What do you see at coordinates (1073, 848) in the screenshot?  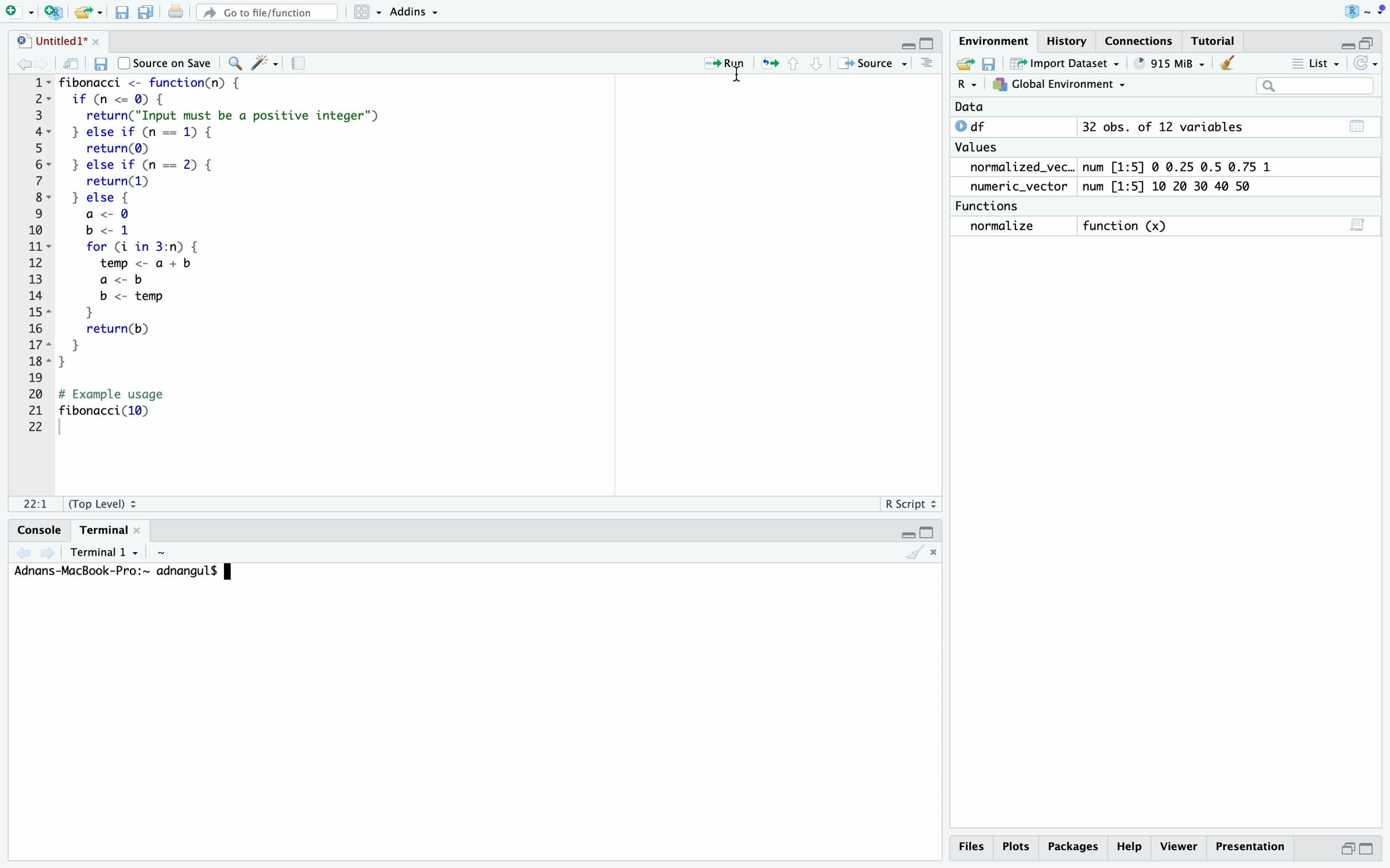 I see `packages` at bounding box center [1073, 848].